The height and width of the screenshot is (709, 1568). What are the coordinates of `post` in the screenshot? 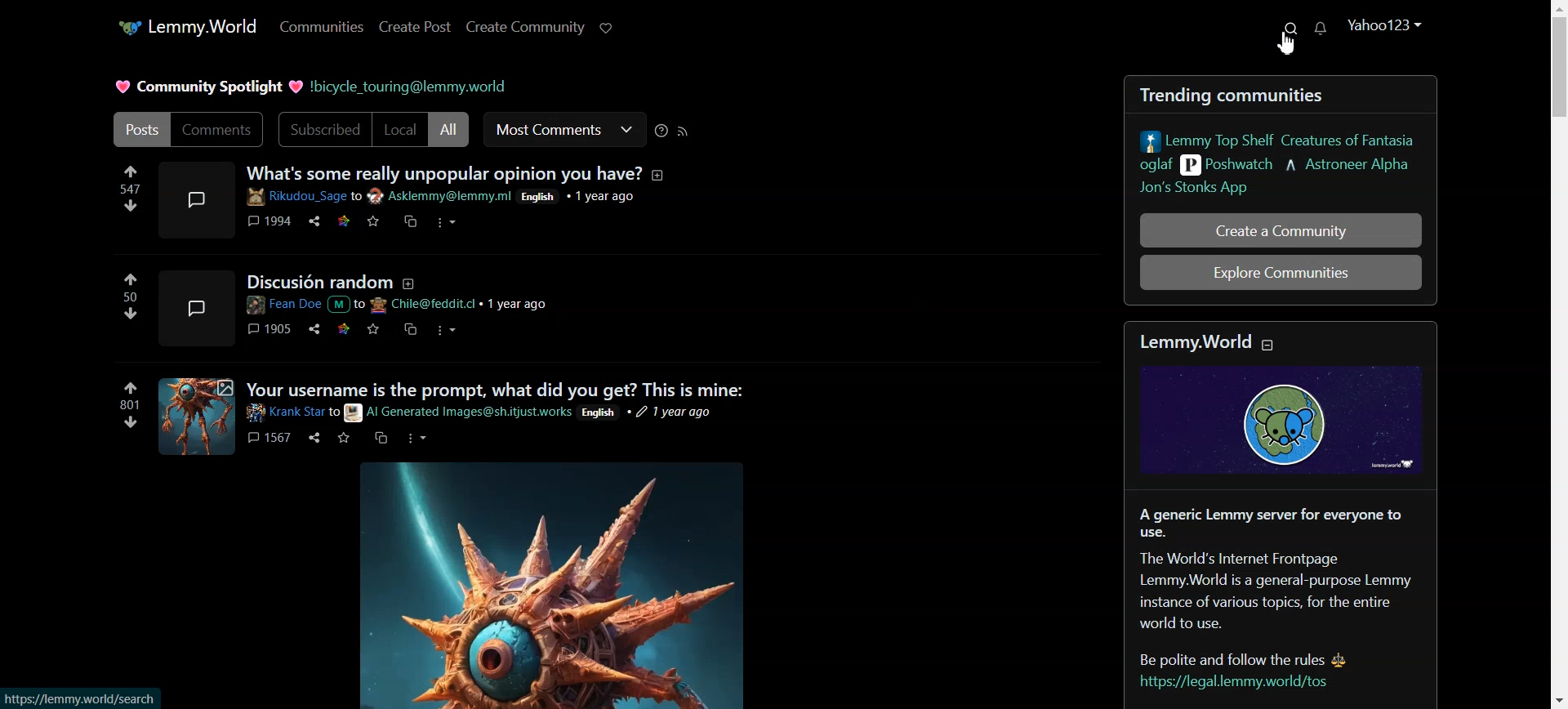 It's located at (195, 309).